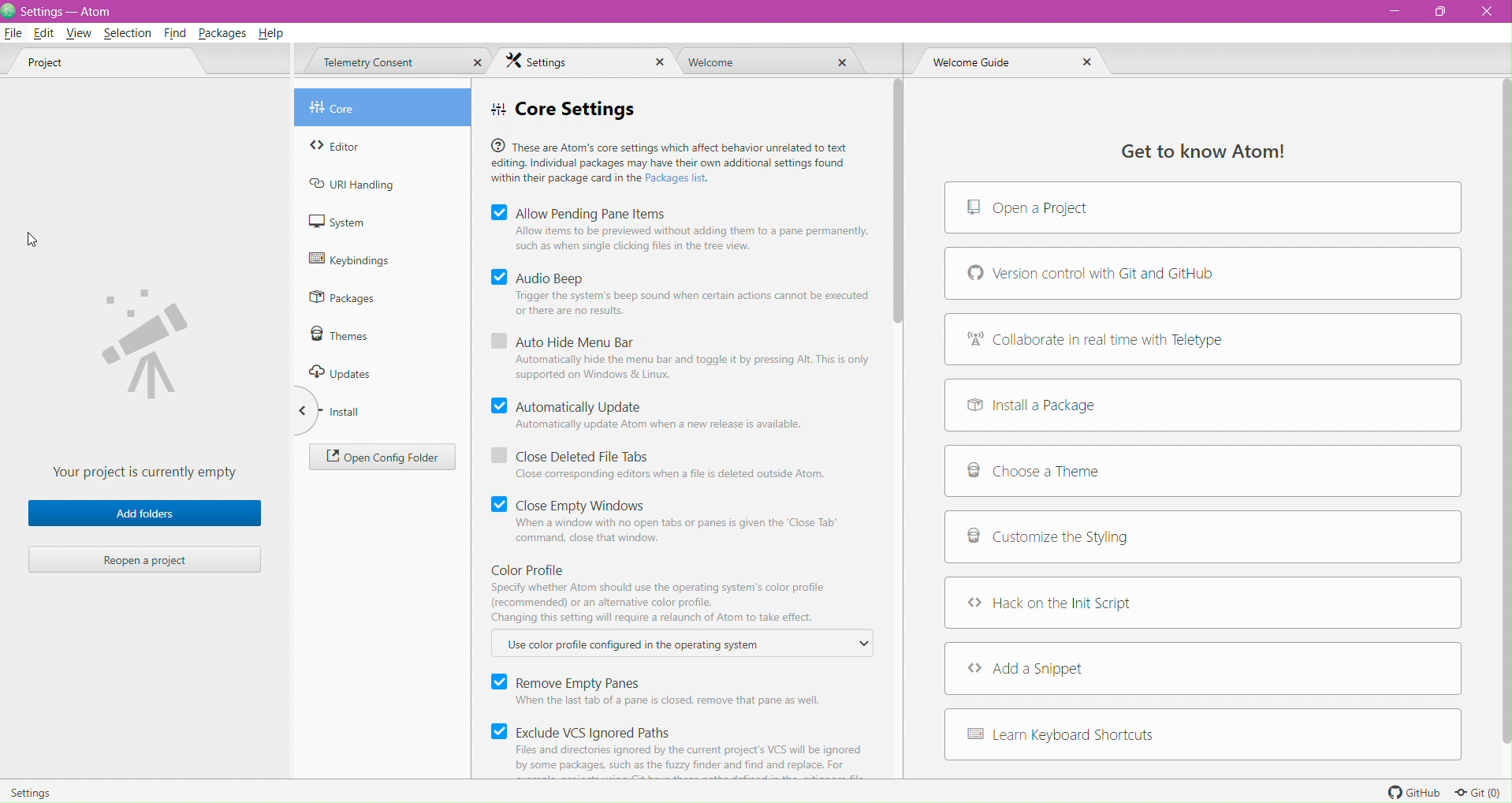  I want to click on Themes, so click(355, 338).